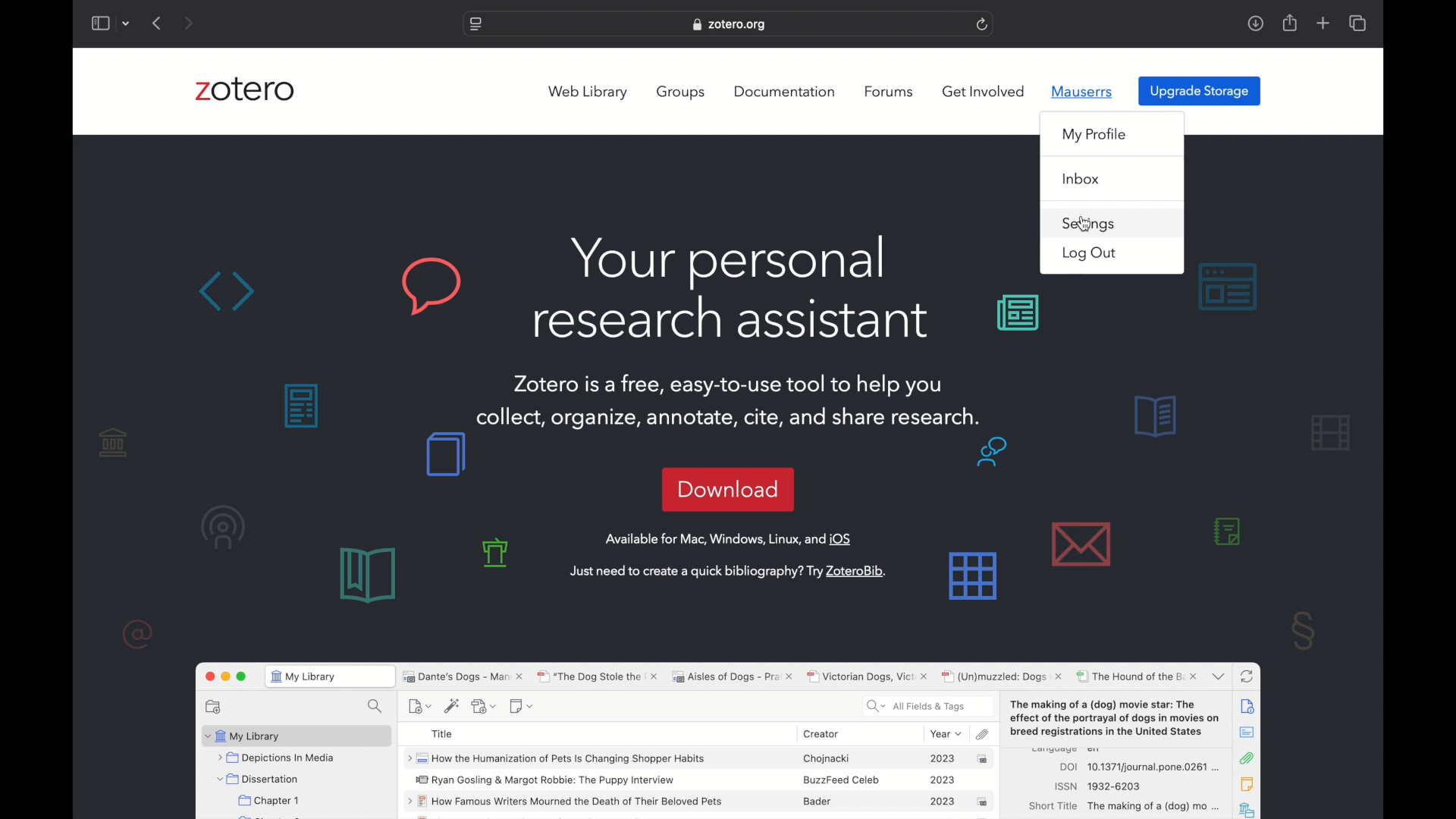  I want to click on web library, so click(587, 93).